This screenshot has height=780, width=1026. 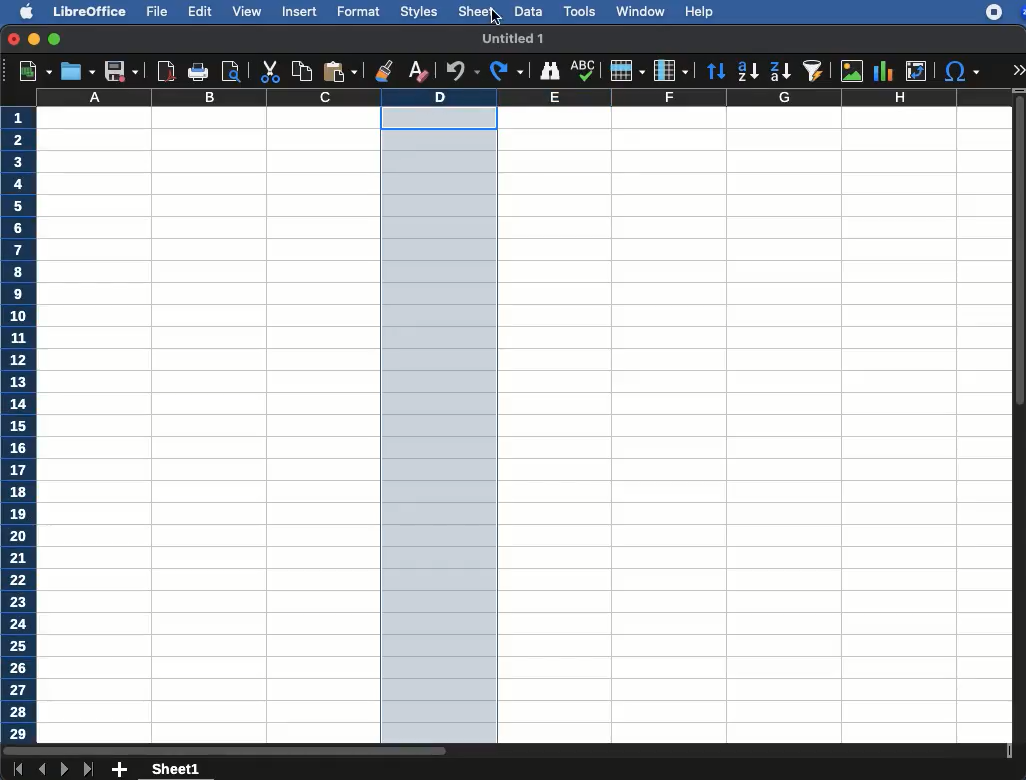 What do you see at coordinates (1020, 424) in the screenshot?
I see `scroll` at bounding box center [1020, 424].